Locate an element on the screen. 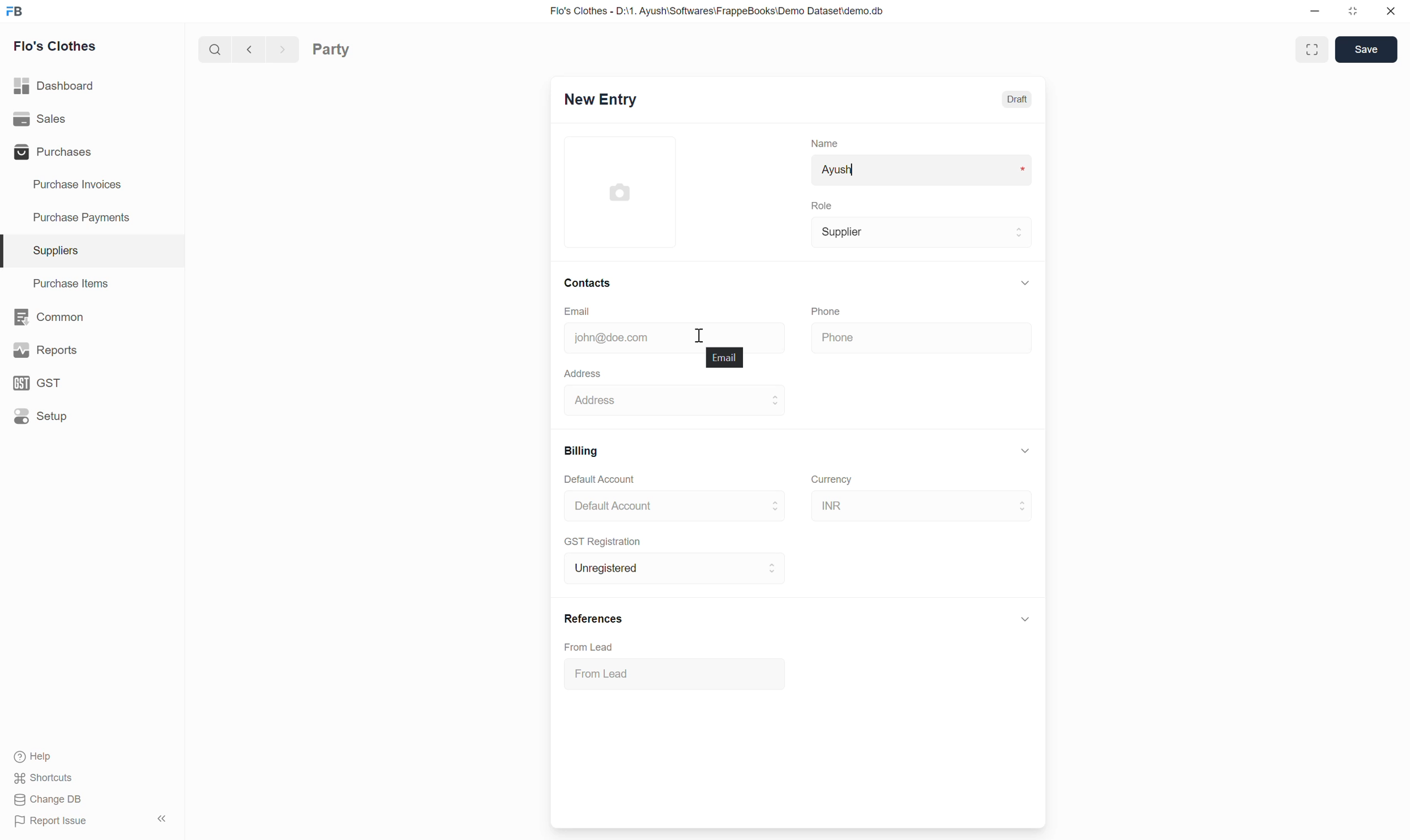  Change DB is located at coordinates (50, 799).